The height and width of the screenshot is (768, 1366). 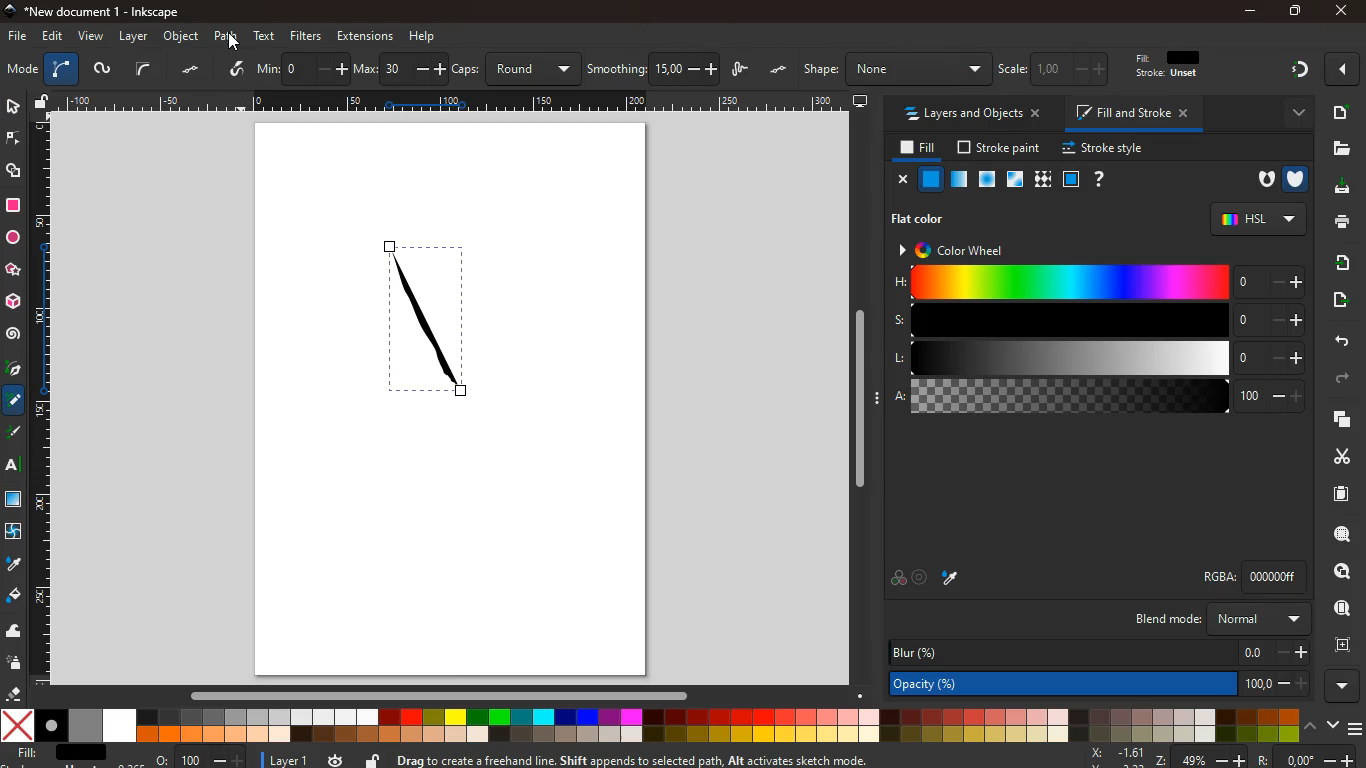 I want to click on star, so click(x=13, y=271).